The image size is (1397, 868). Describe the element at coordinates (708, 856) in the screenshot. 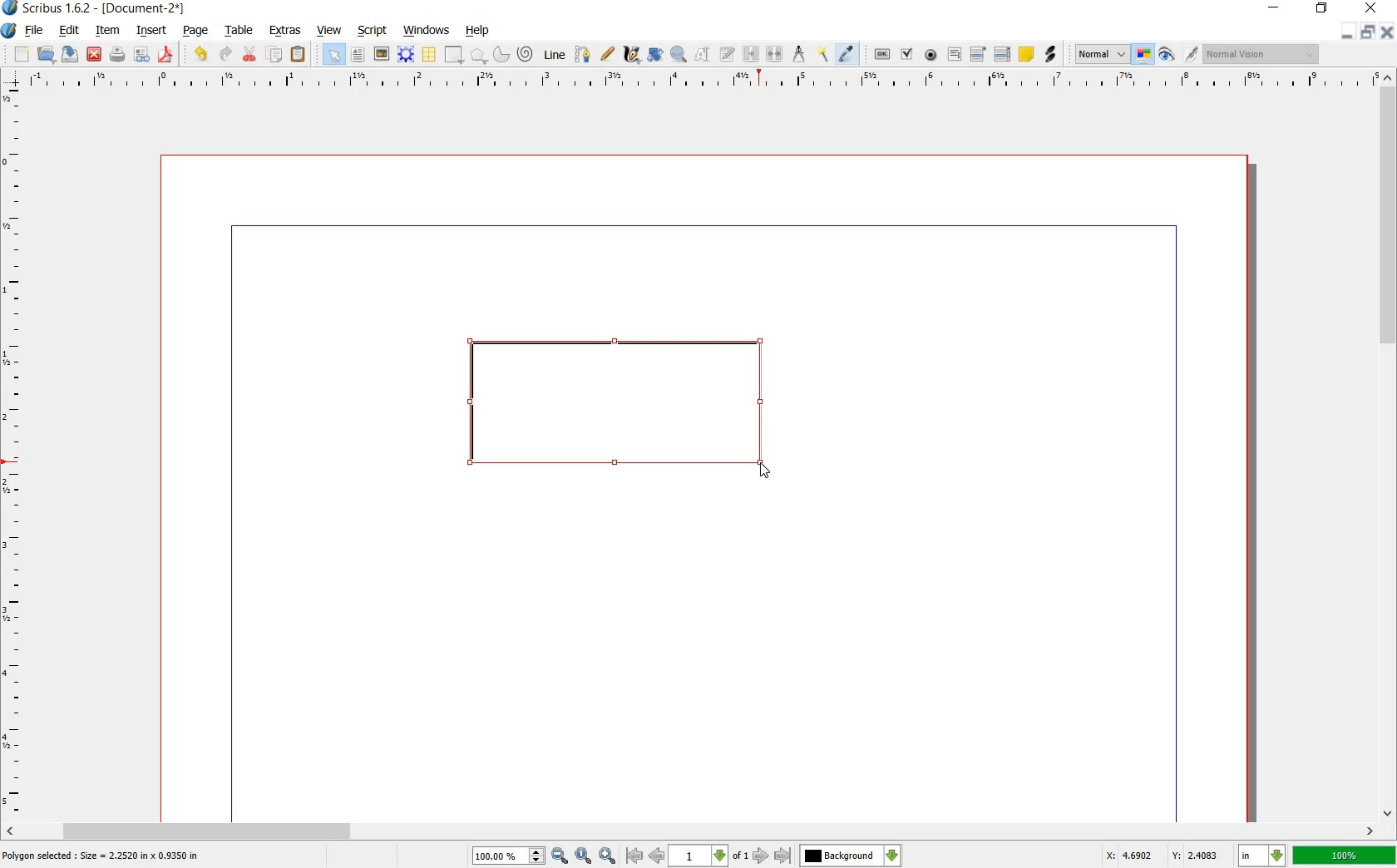

I see `select current page` at that location.